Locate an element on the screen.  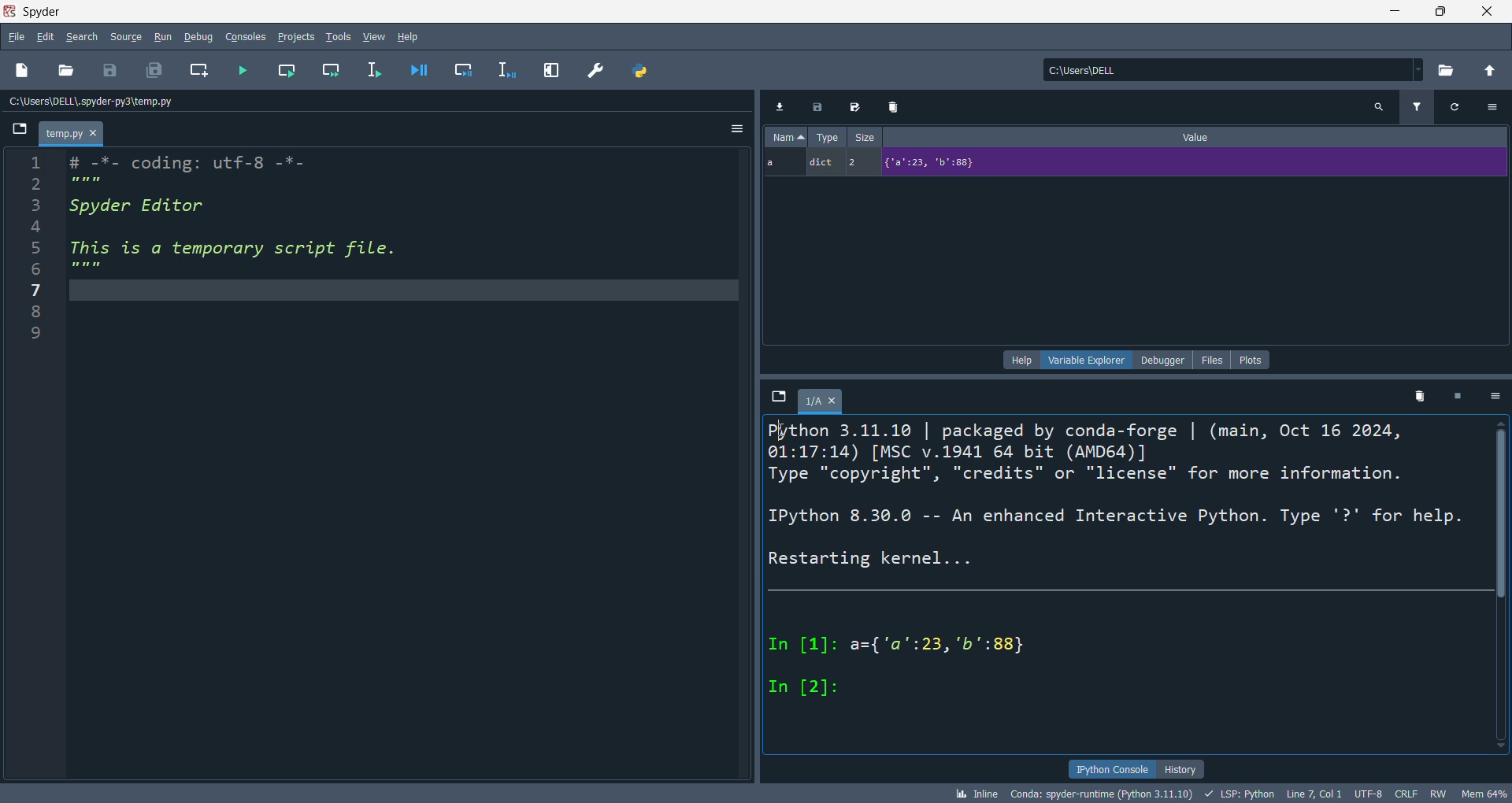
open current directory is located at coordinates (1450, 71).